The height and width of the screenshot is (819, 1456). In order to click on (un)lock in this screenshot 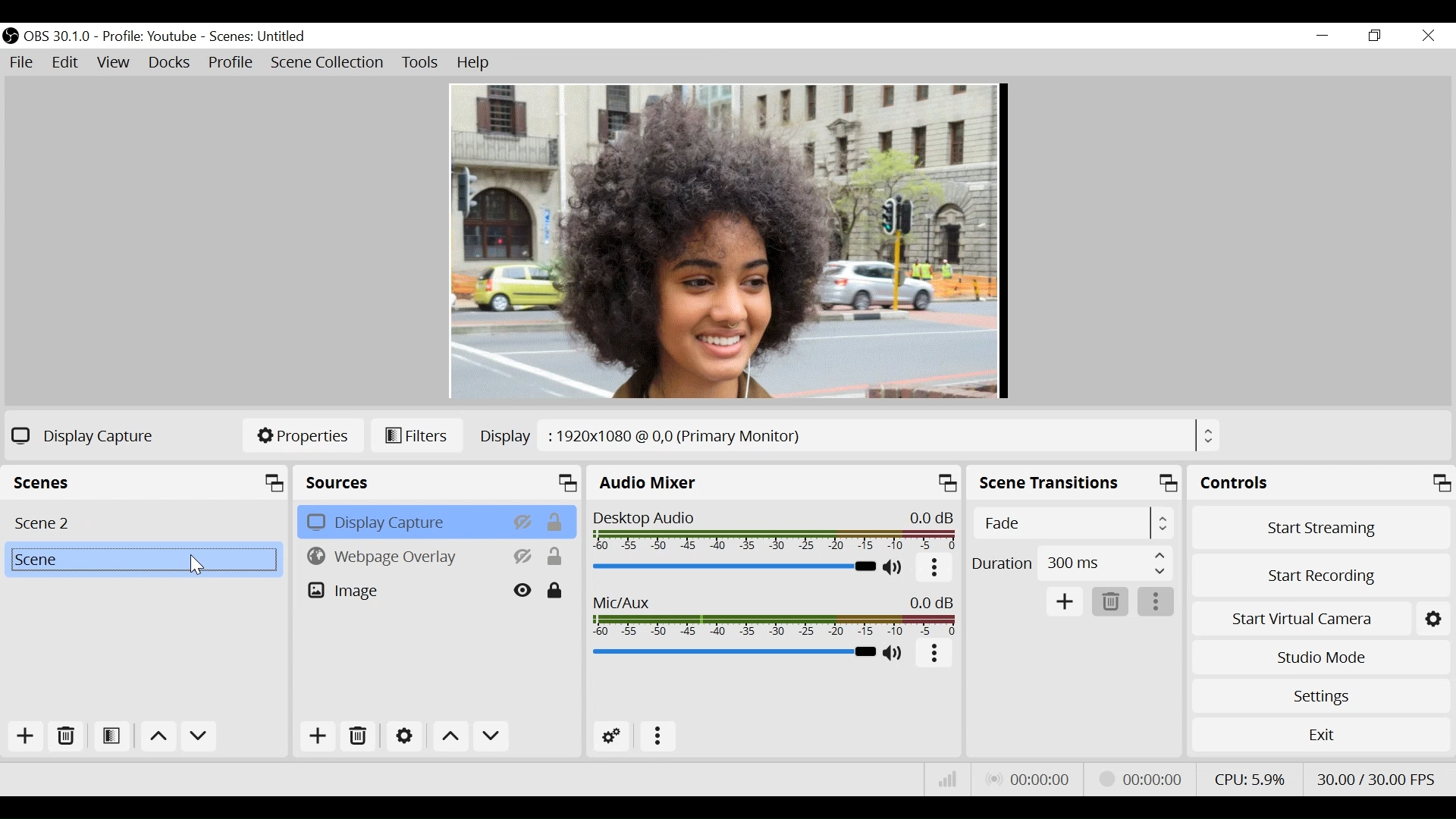, I will do `click(556, 557)`.